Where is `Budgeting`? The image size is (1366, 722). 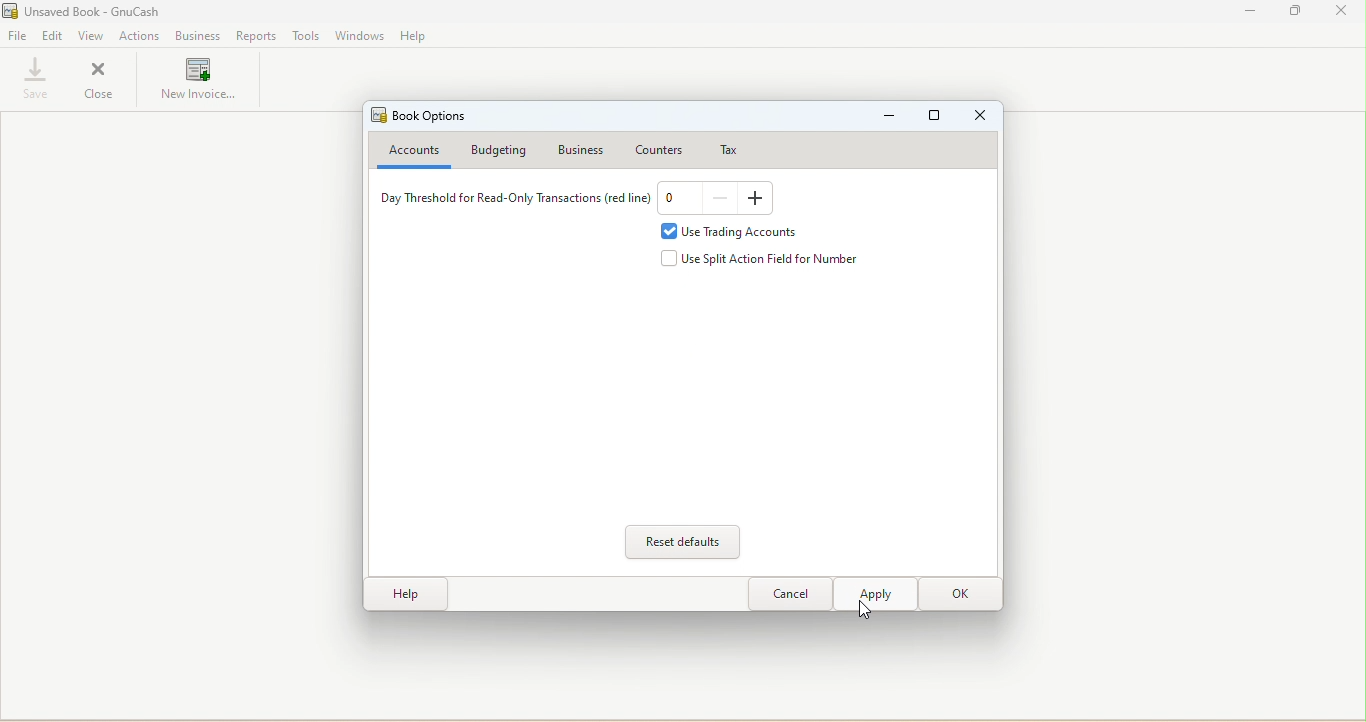
Budgeting is located at coordinates (503, 151).